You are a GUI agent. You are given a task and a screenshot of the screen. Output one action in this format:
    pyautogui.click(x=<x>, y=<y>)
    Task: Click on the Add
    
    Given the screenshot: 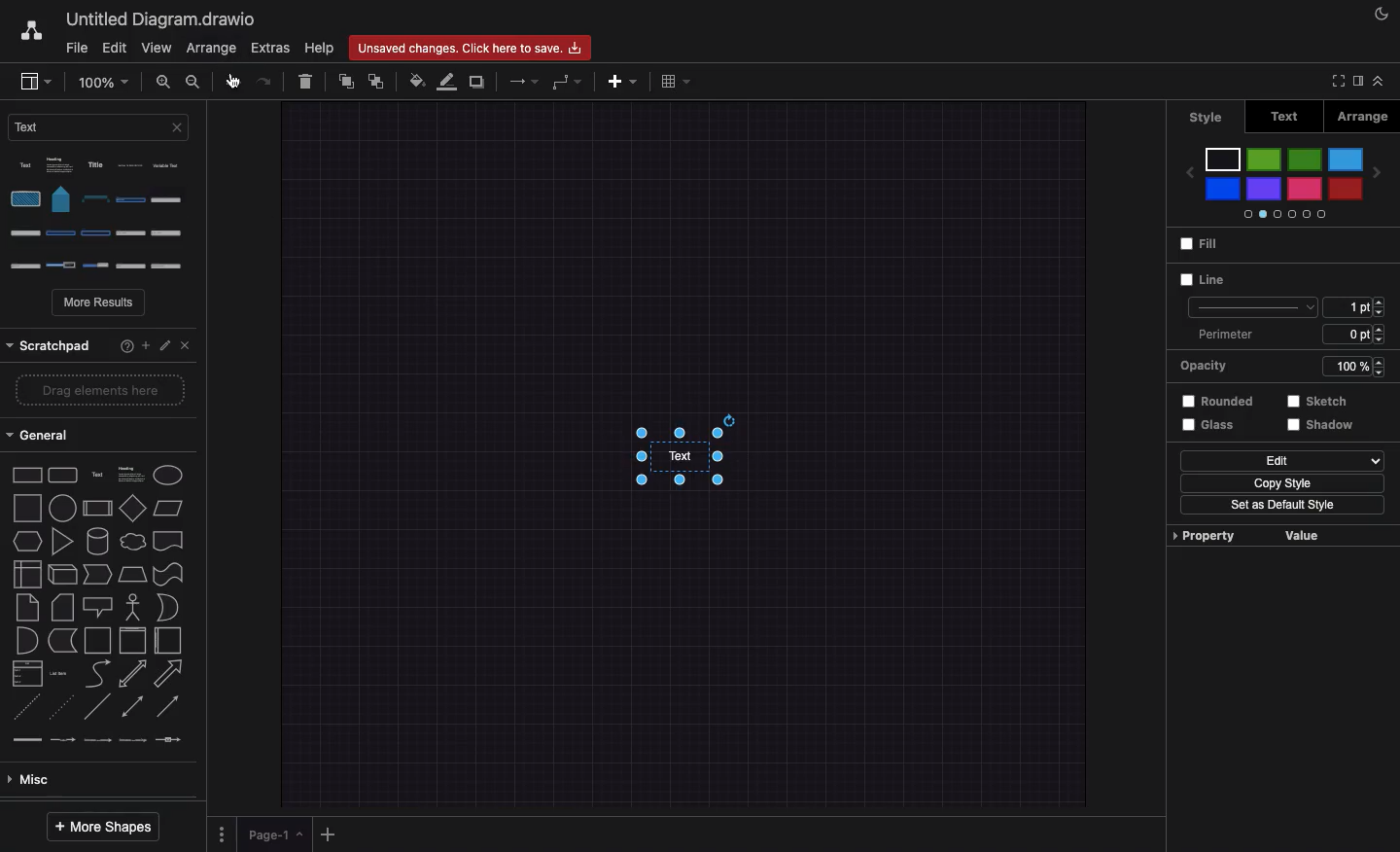 What is the action you would take?
    pyautogui.click(x=331, y=834)
    